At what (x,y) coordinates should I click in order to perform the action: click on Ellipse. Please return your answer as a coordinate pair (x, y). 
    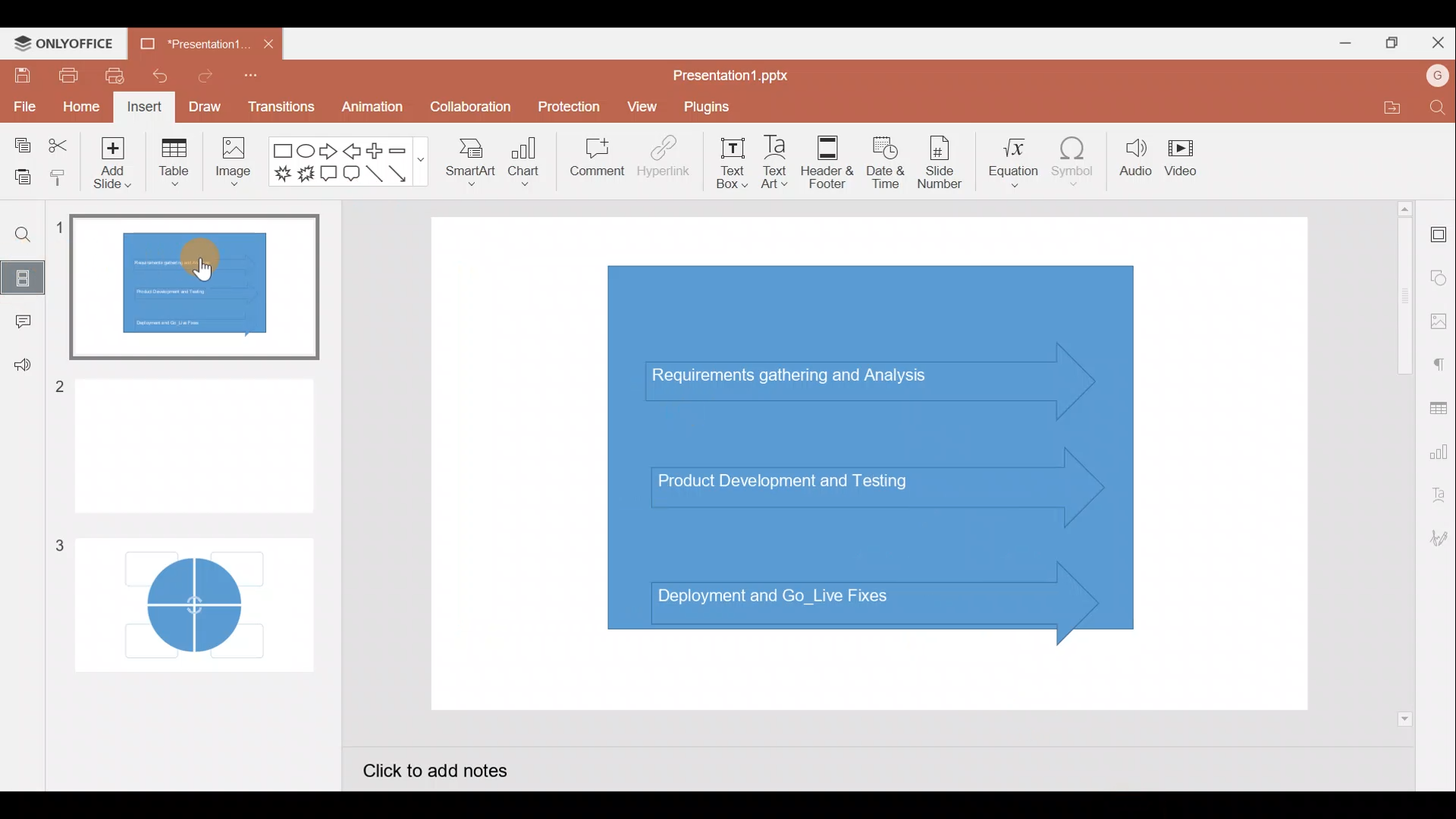
    Looking at the image, I should click on (305, 152).